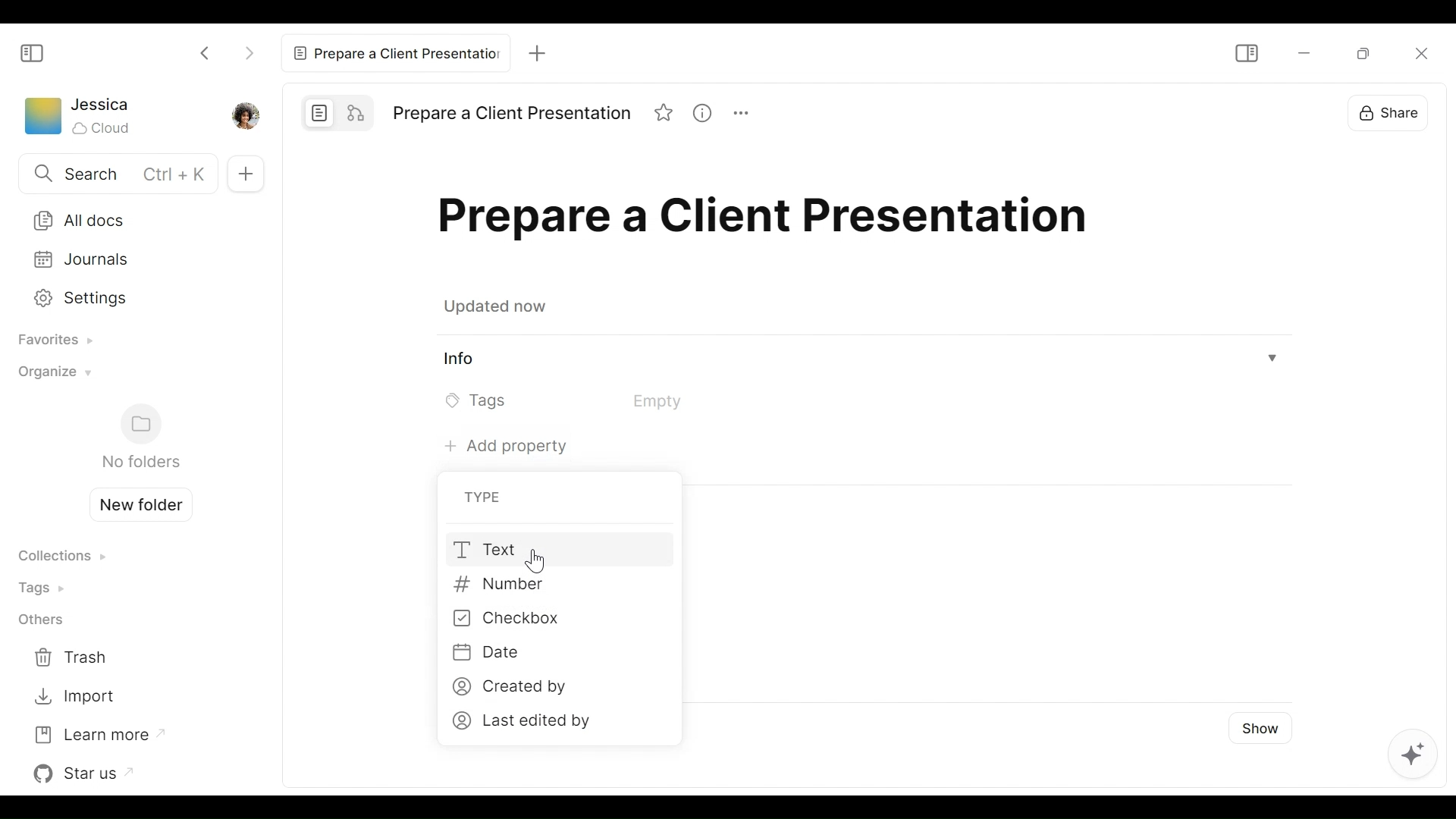 Image resolution: width=1456 pixels, height=819 pixels. What do you see at coordinates (538, 561) in the screenshot?
I see `Cursor` at bounding box center [538, 561].